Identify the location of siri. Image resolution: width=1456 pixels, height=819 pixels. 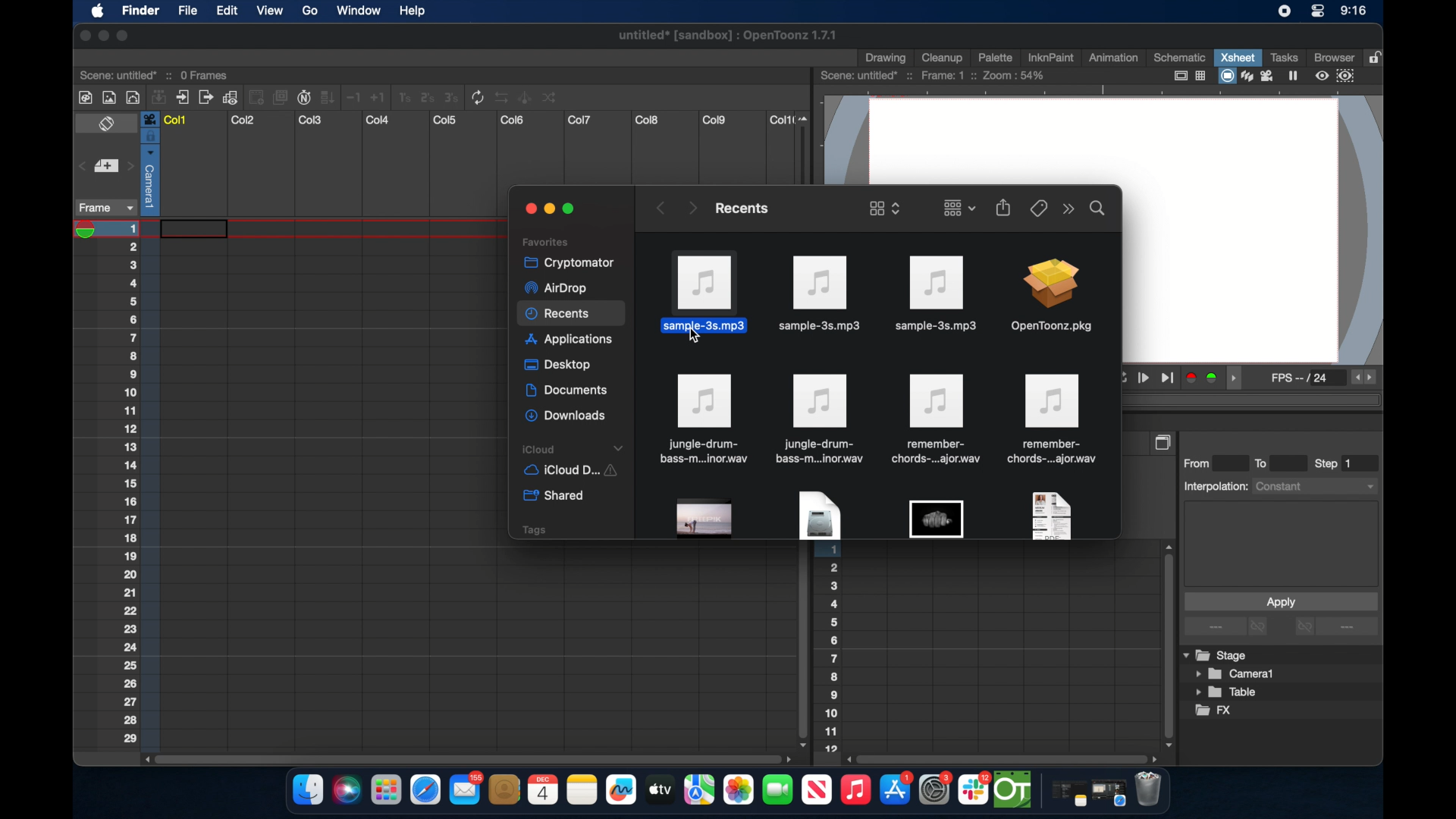
(345, 790).